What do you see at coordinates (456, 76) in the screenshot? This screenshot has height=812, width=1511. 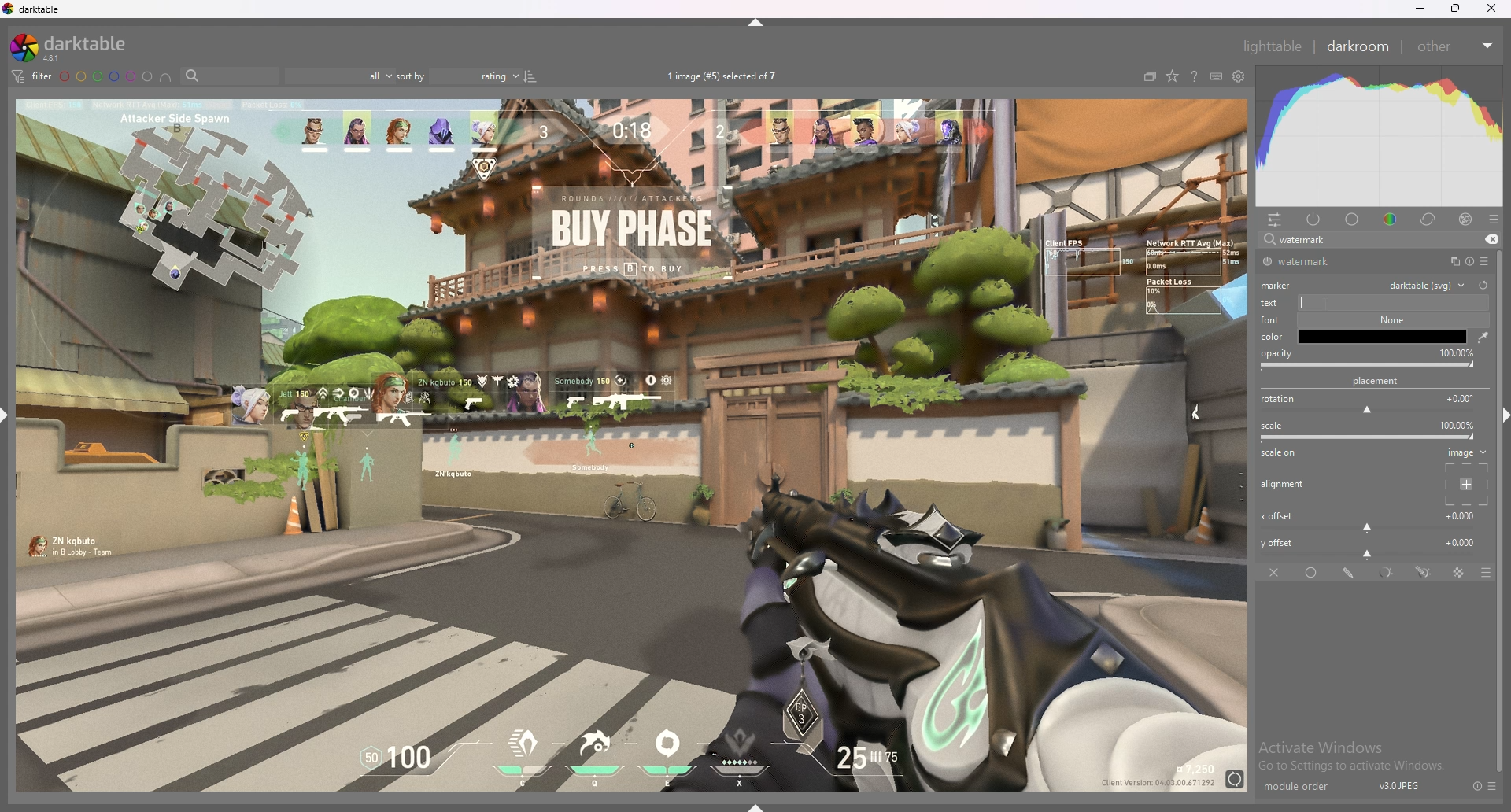 I see `sort by` at bounding box center [456, 76].